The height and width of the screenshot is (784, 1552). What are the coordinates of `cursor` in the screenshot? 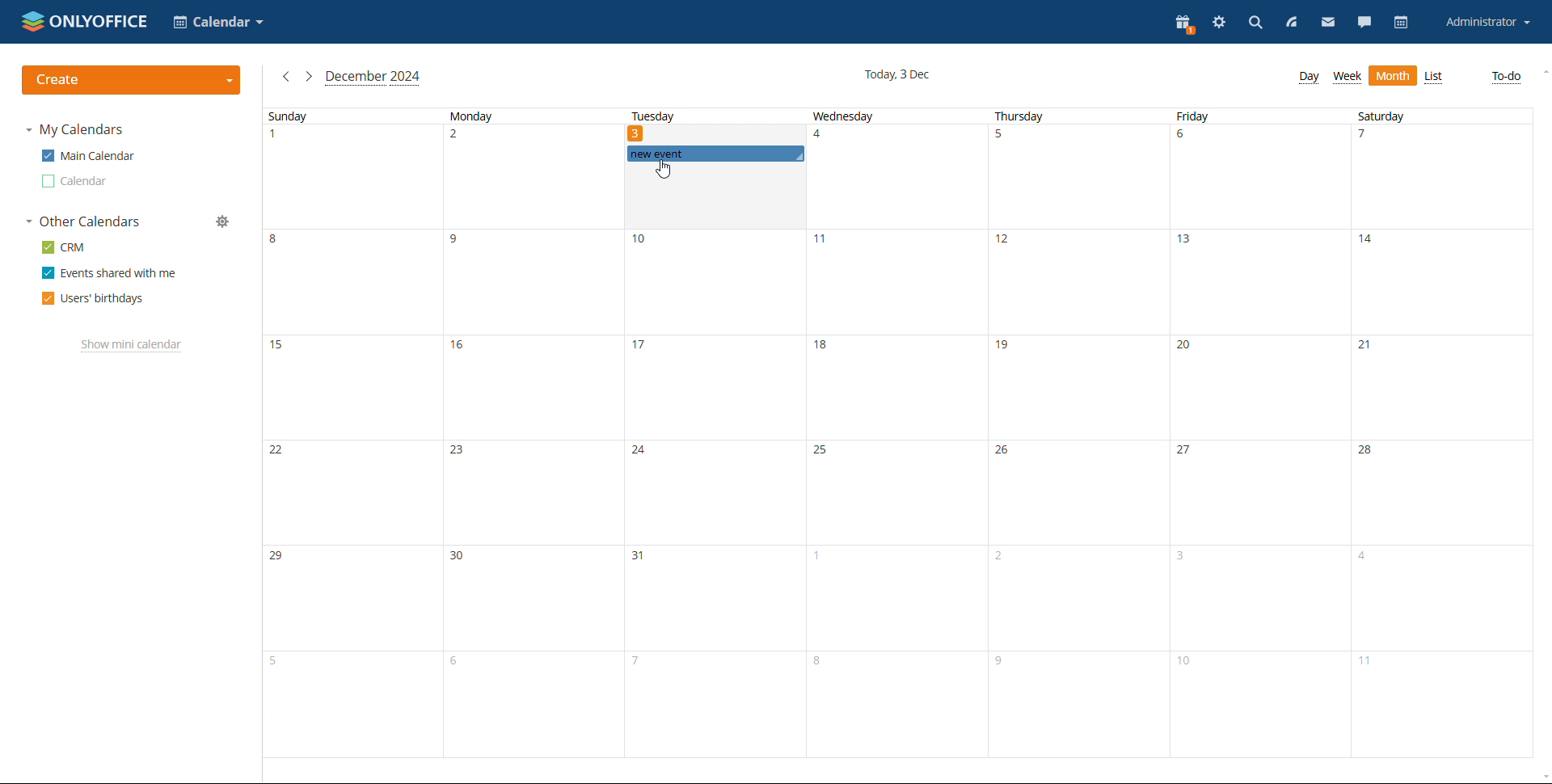 It's located at (668, 169).